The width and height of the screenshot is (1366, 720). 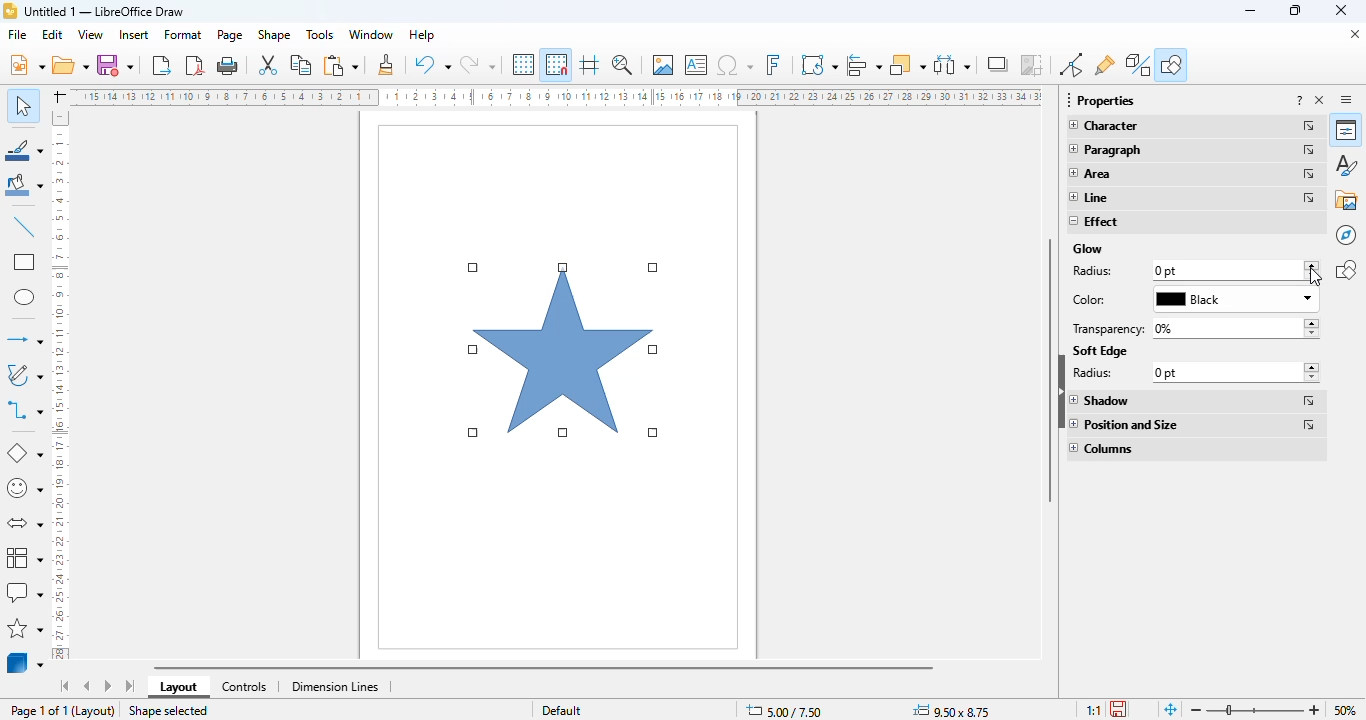 I want to click on paste, so click(x=341, y=66).